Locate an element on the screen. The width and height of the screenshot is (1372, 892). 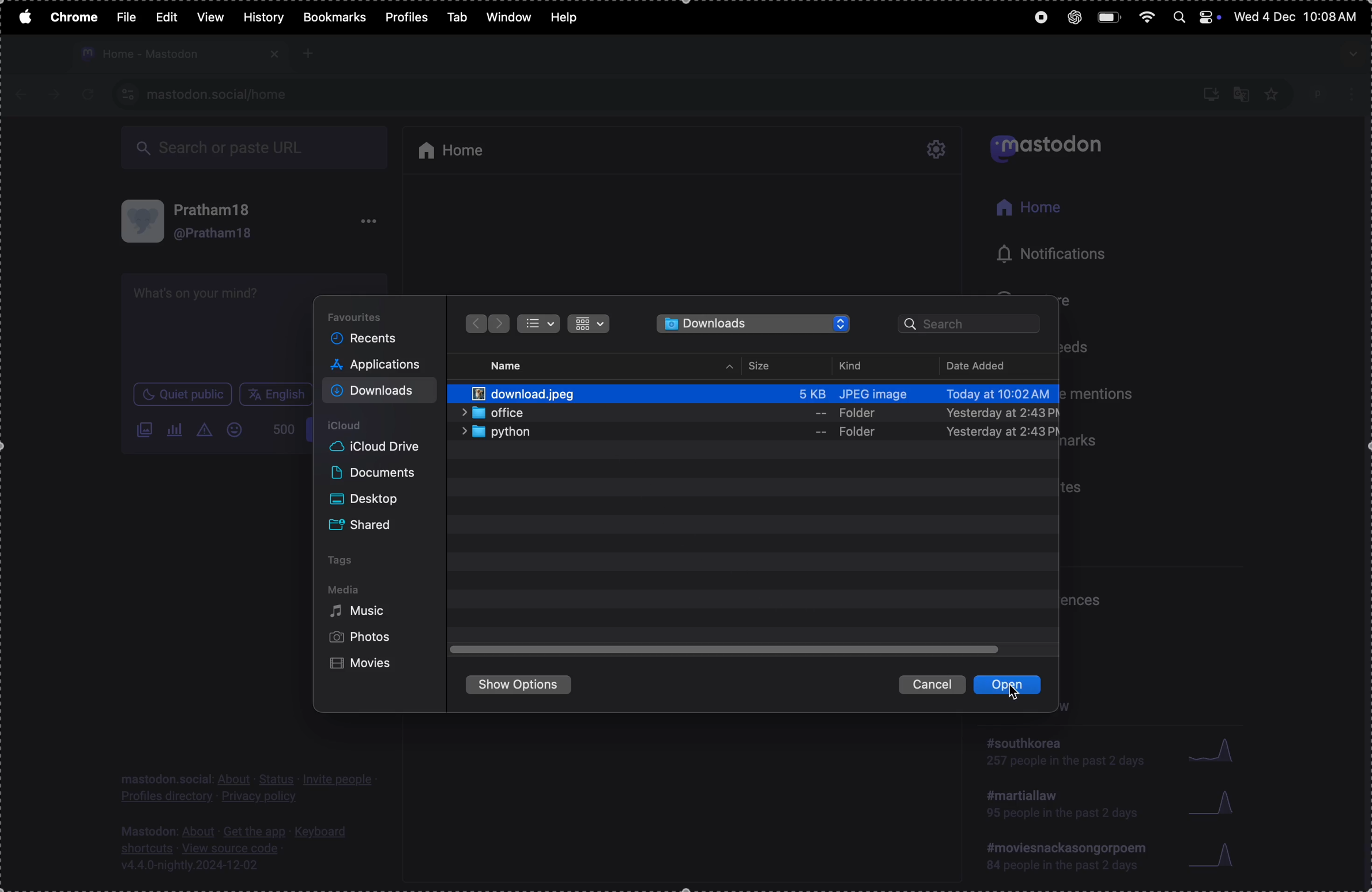
Emoji is located at coordinates (238, 429).